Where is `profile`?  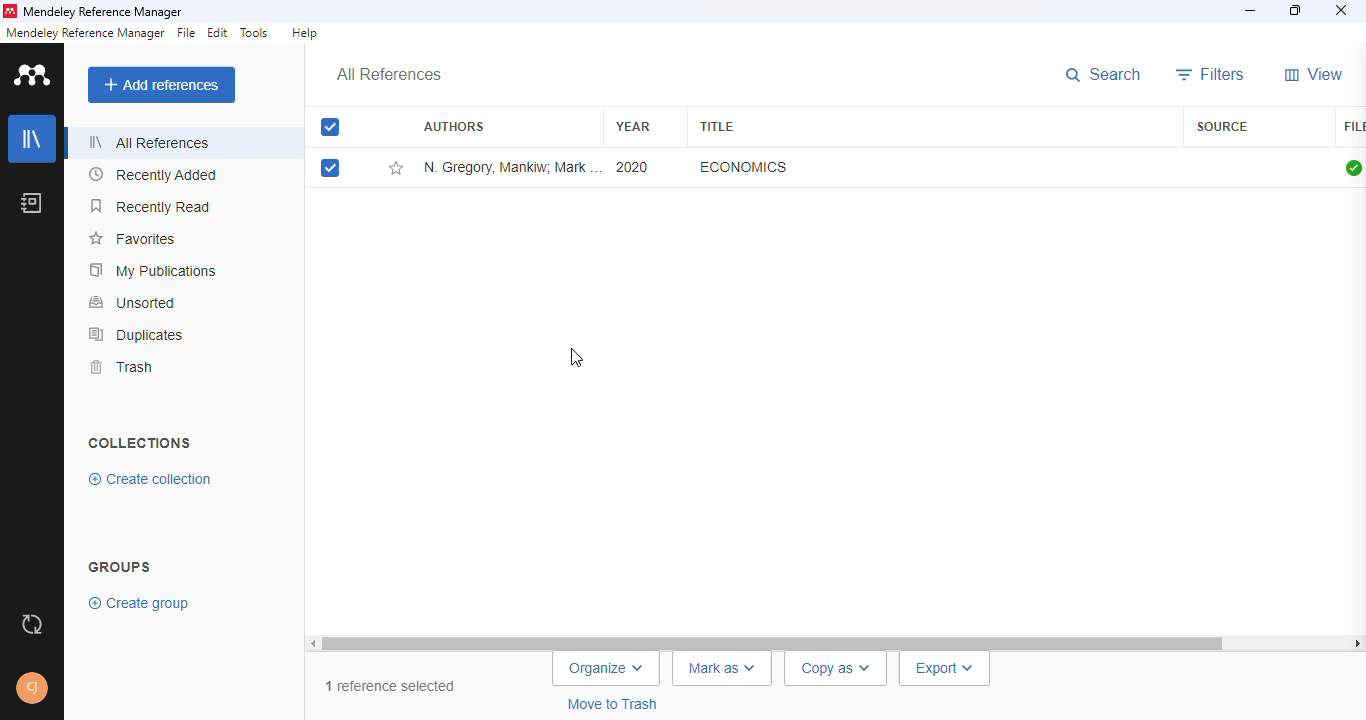 profile is located at coordinates (32, 688).